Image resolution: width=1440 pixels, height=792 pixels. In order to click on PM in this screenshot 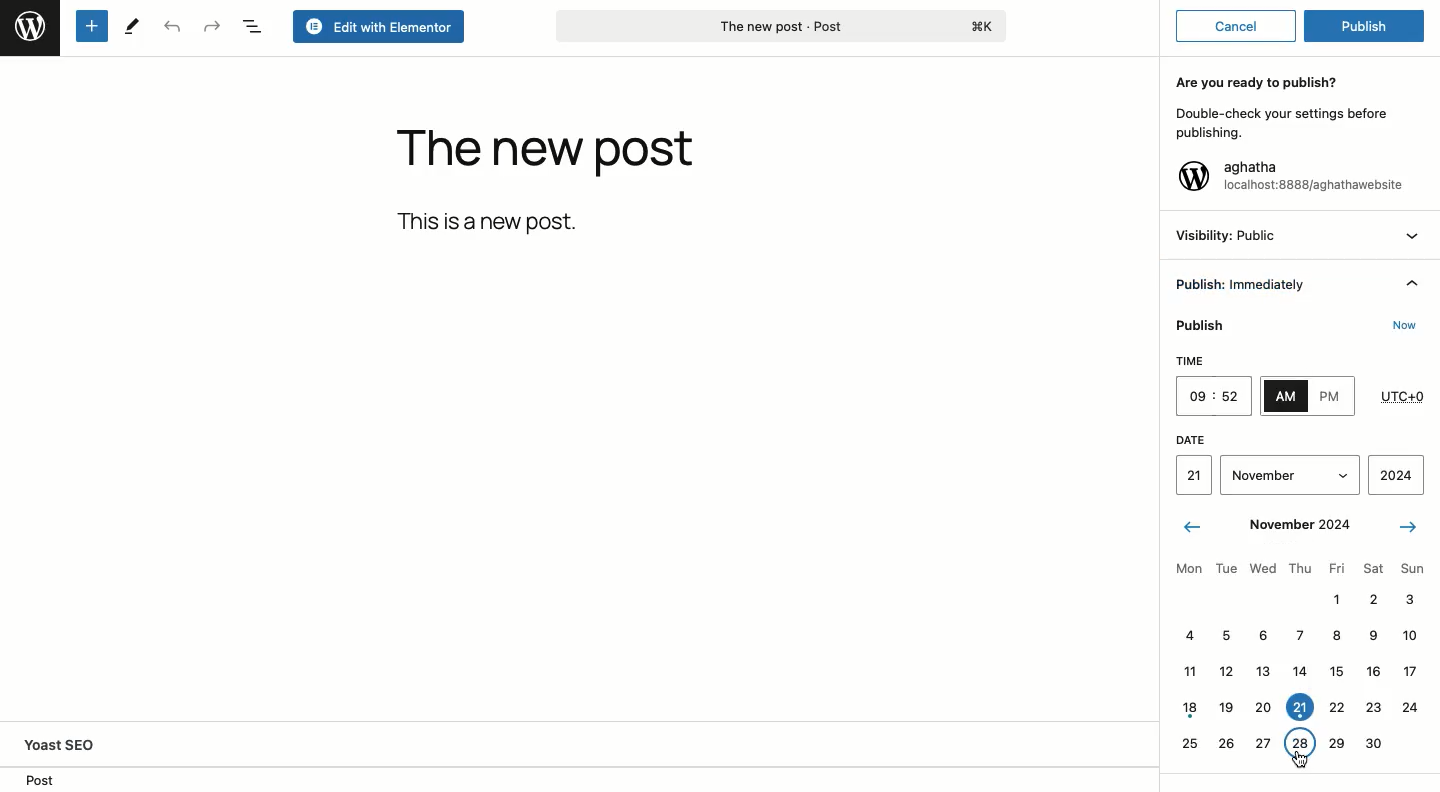, I will do `click(1332, 398)`.